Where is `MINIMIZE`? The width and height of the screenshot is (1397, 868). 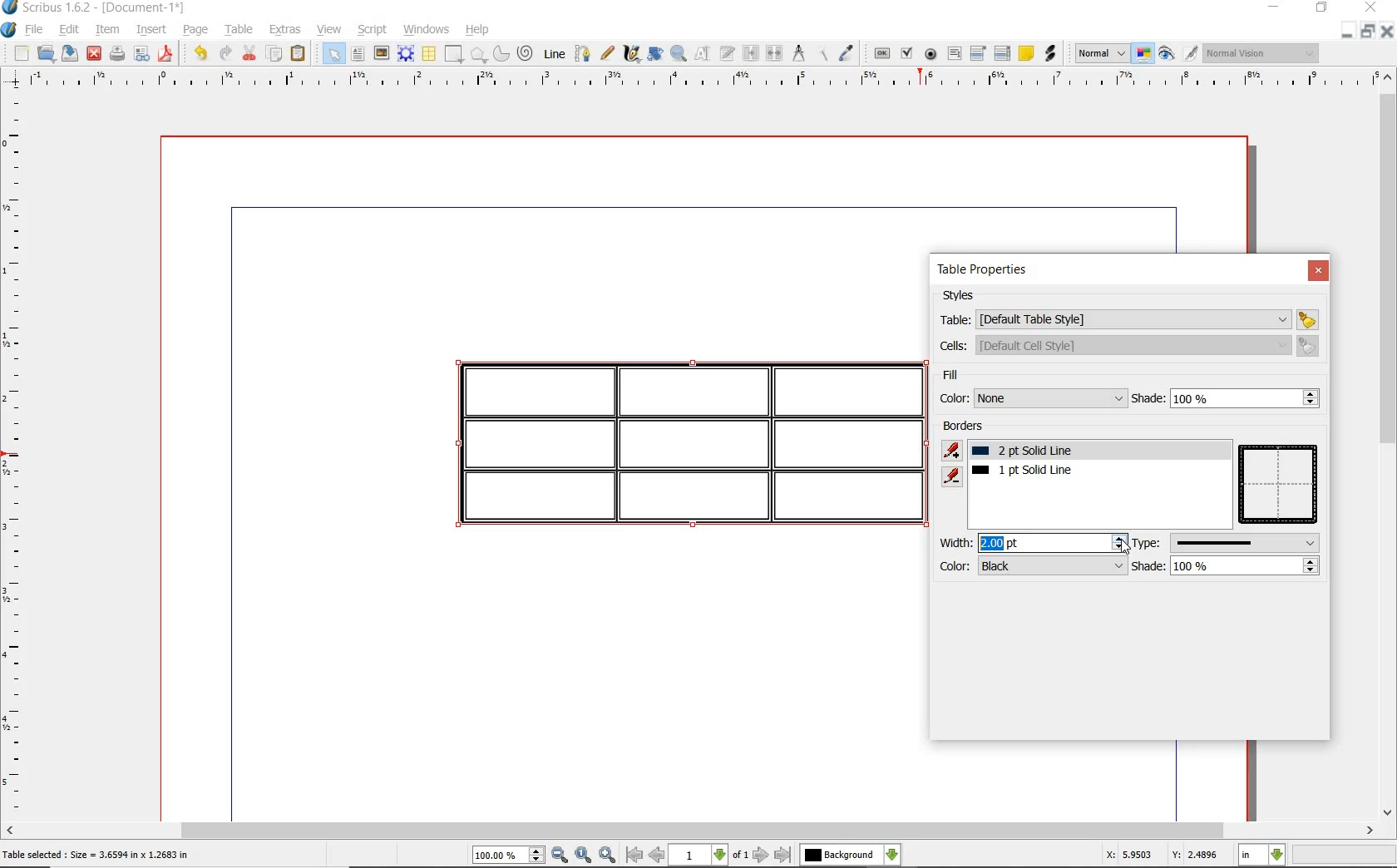 MINIMIZE is located at coordinates (1273, 7).